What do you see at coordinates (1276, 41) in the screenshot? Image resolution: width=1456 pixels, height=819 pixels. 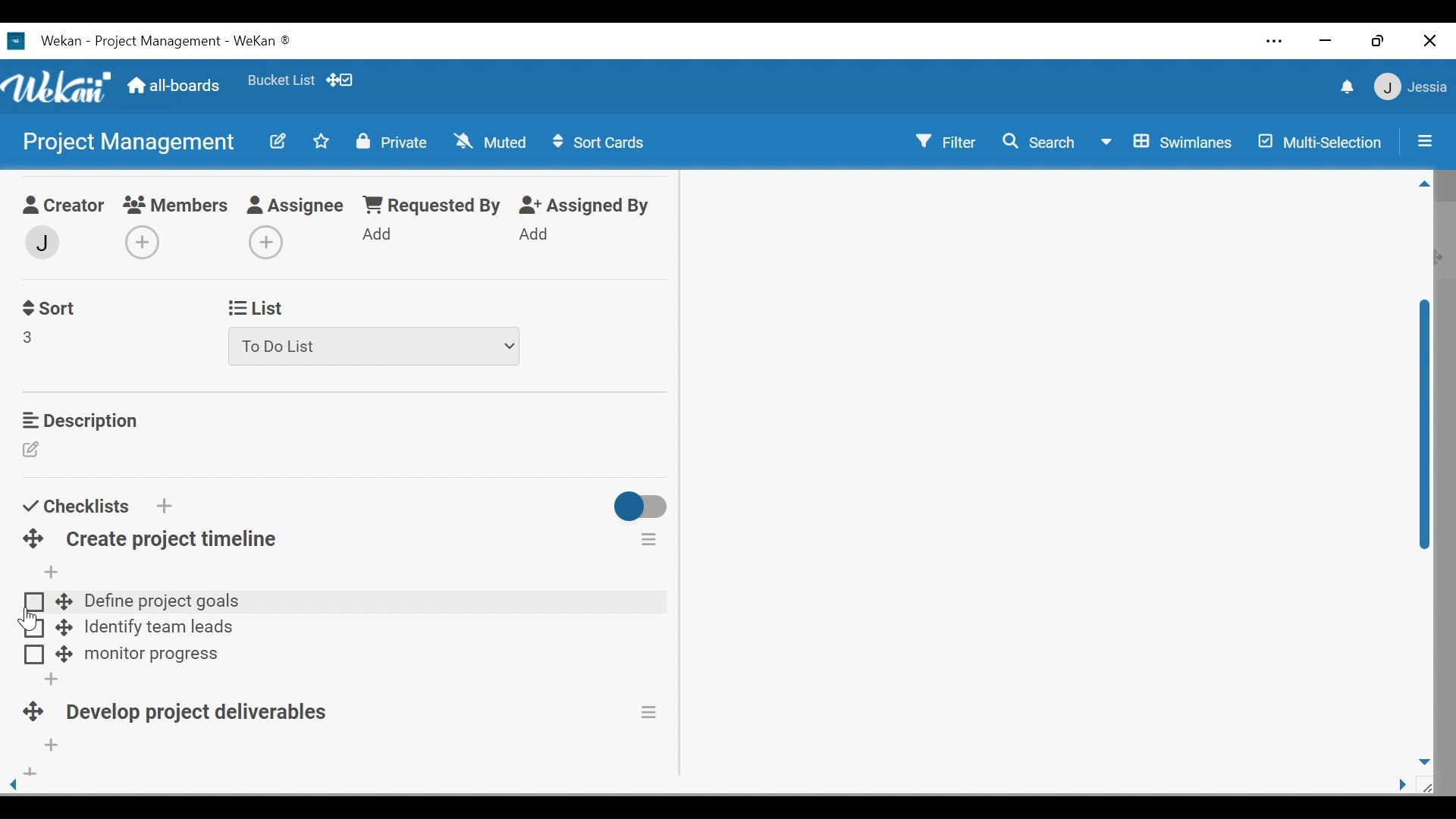 I see `Settings and more` at bounding box center [1276, 41].